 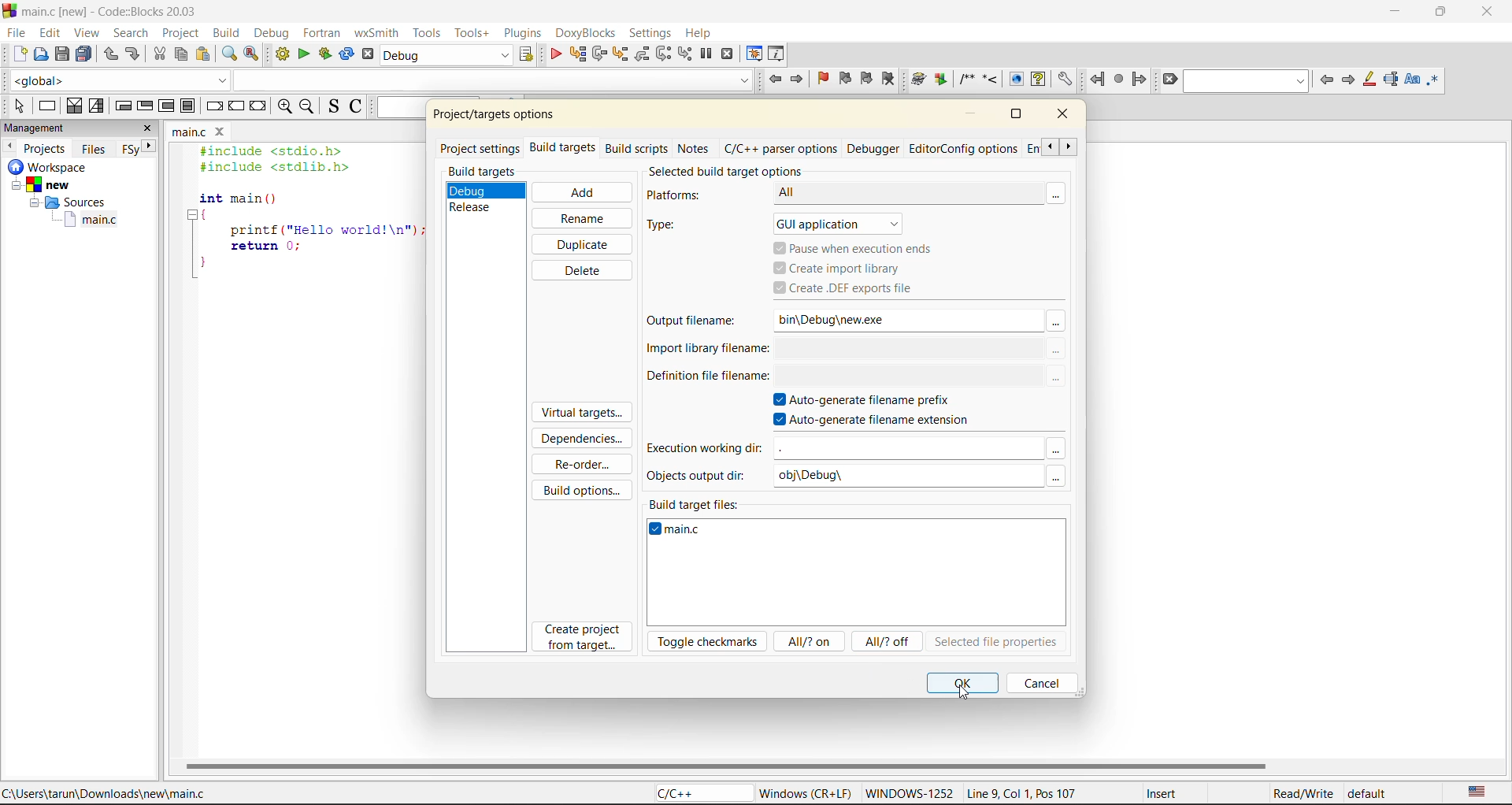 What do you see at coordinates (228, 53) in the screenshot?
I see `find` at bounding box center [228, 53].